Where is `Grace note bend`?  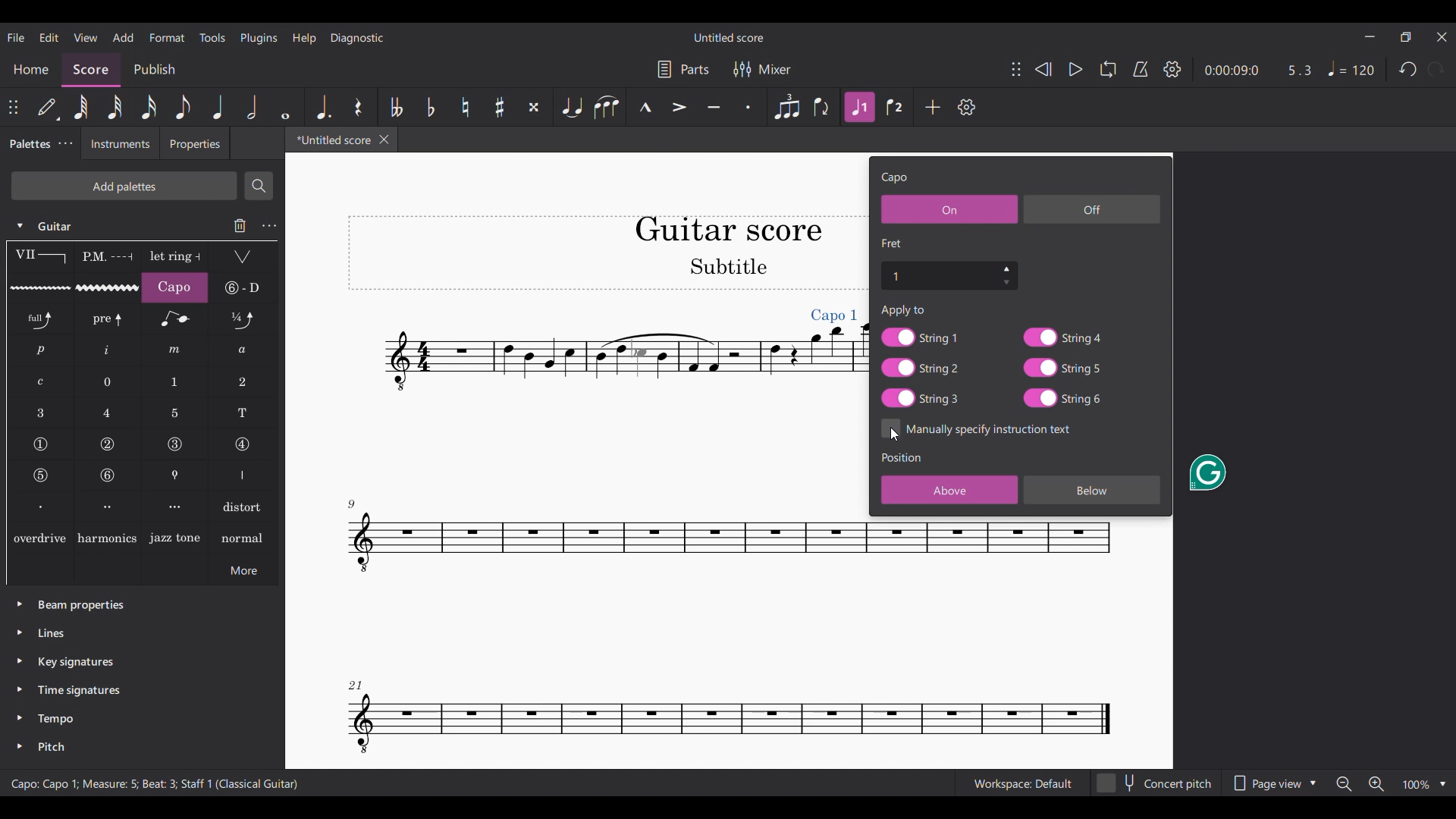
Grace note bend is located at coordinates (175, 319).